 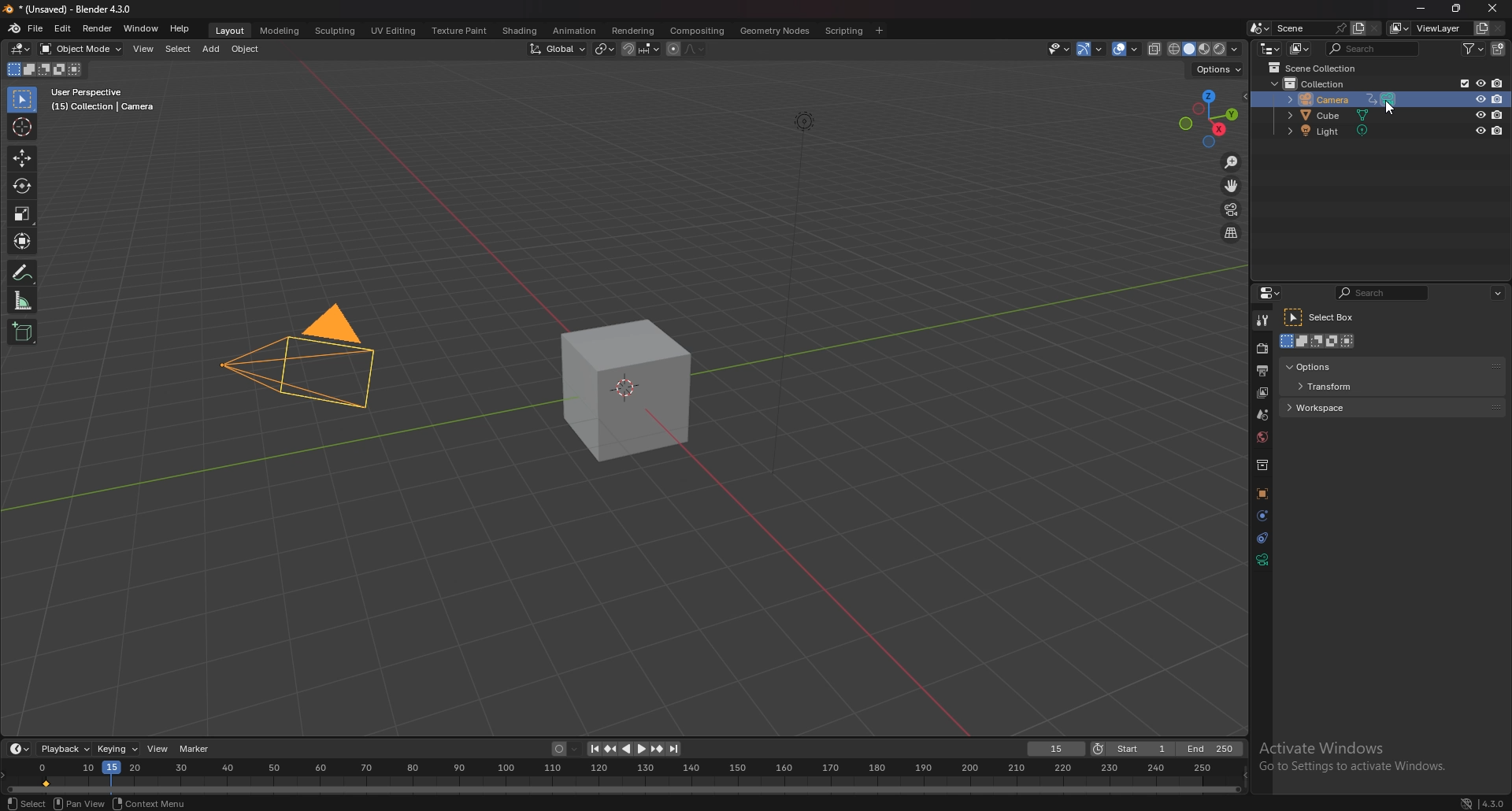 I want to click on add cube, so click(x=20, y=332).